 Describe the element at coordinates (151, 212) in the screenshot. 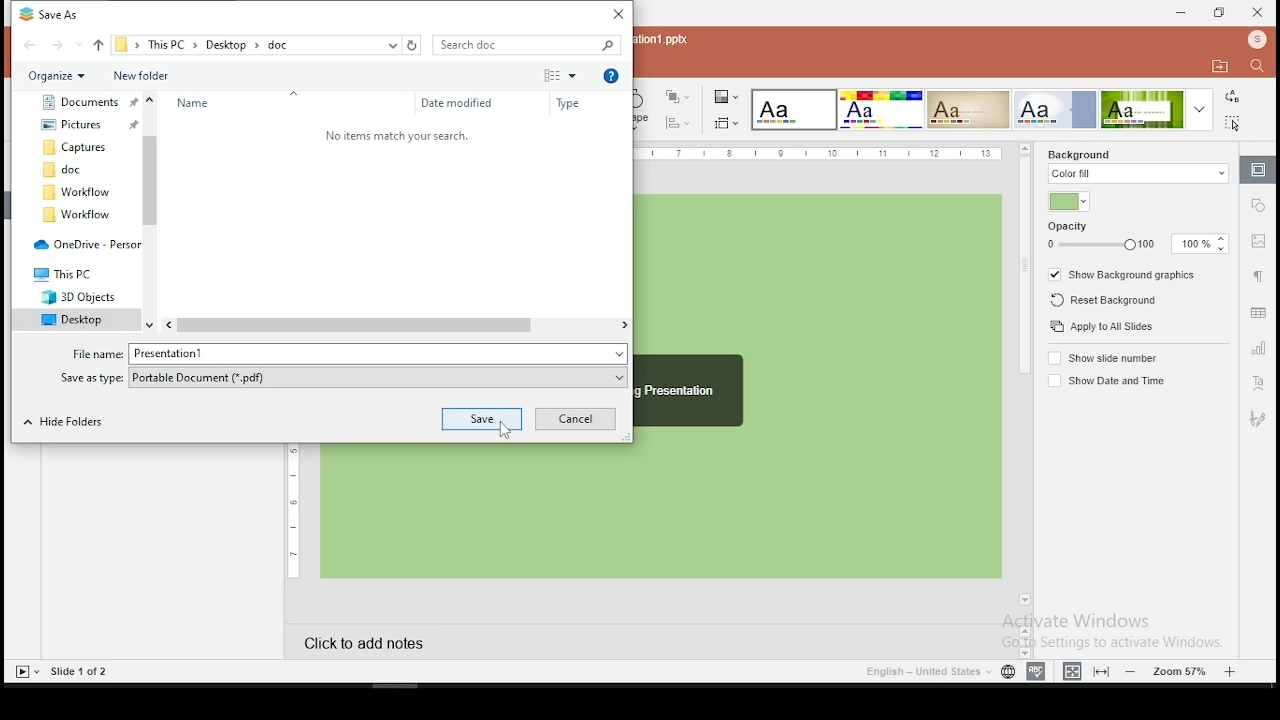

I see `Vertical scrollbar` at that location.